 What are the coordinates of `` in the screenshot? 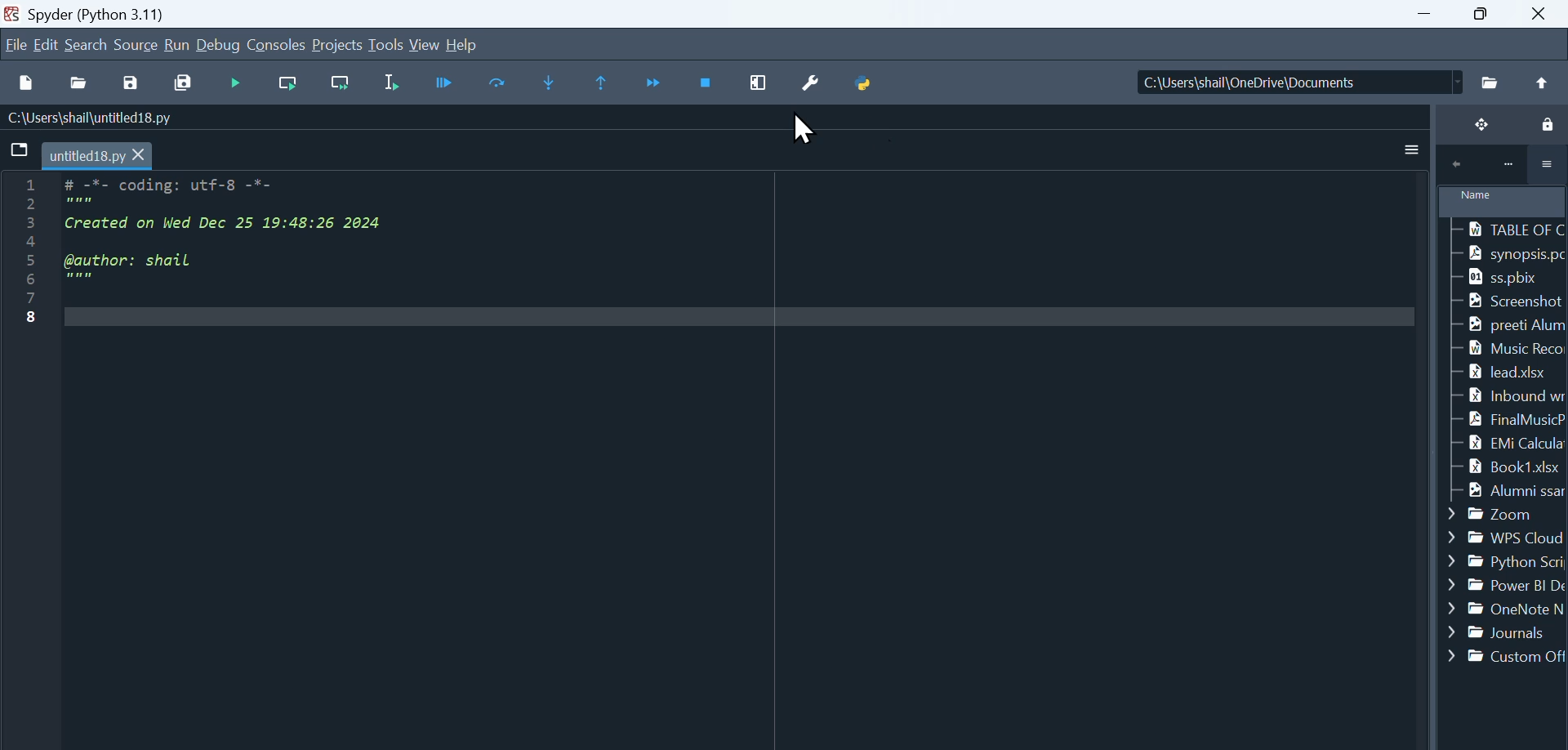 It's located at (339, 46).